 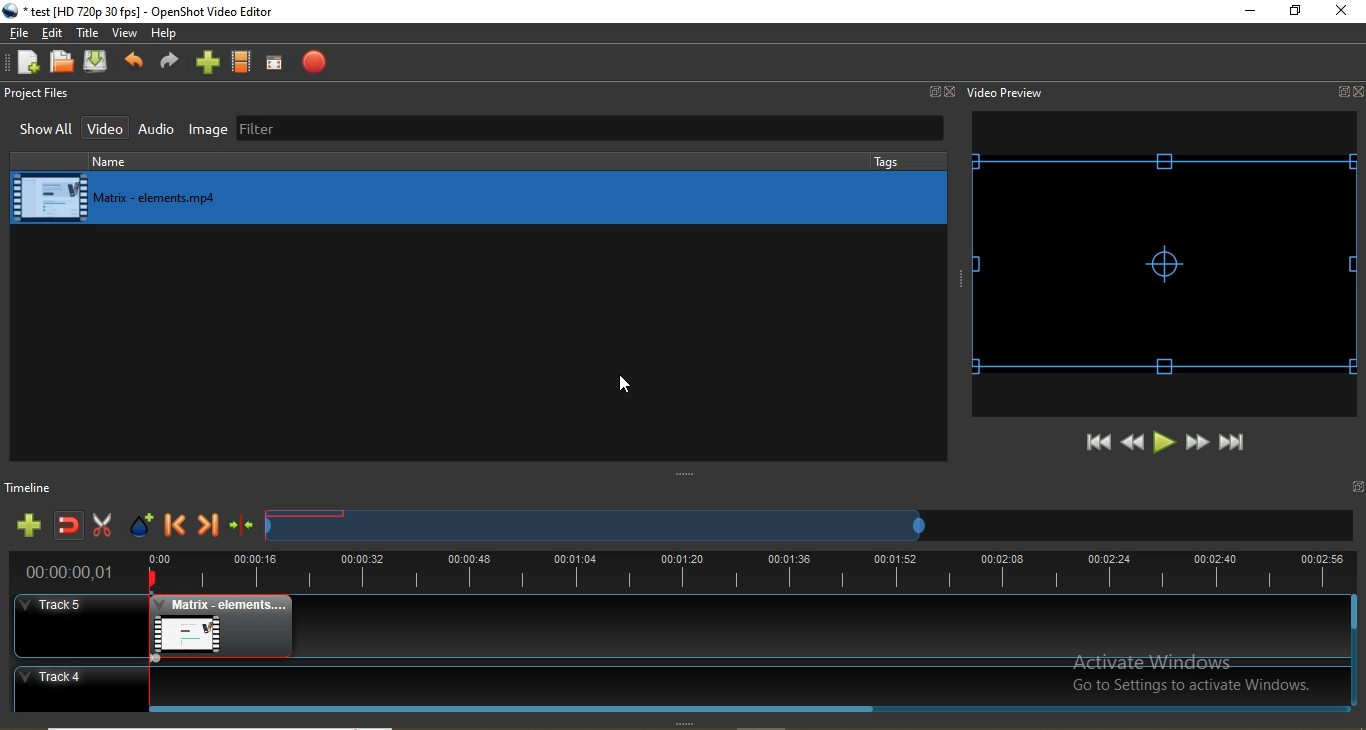 What do you see at coordinates (106, 528) in the screenshot?
I see `Enable razor` at bounding box center [106, 528].